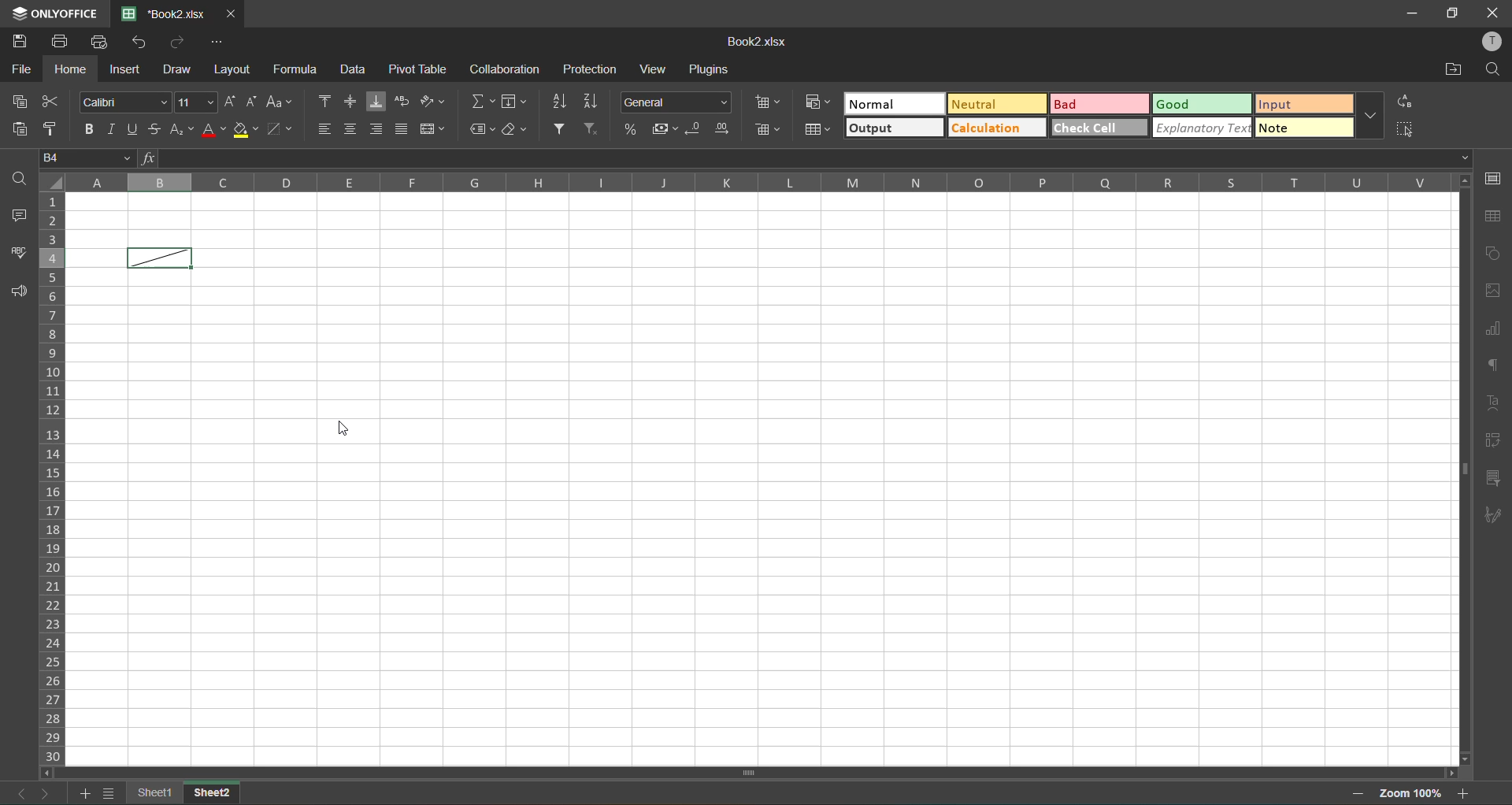 The width and height of the screenshot is (1512, 805). What do you see at coordinates (699, 132) in the screenshot?
I see `decrease decimal` at bounding box center [699, 132].